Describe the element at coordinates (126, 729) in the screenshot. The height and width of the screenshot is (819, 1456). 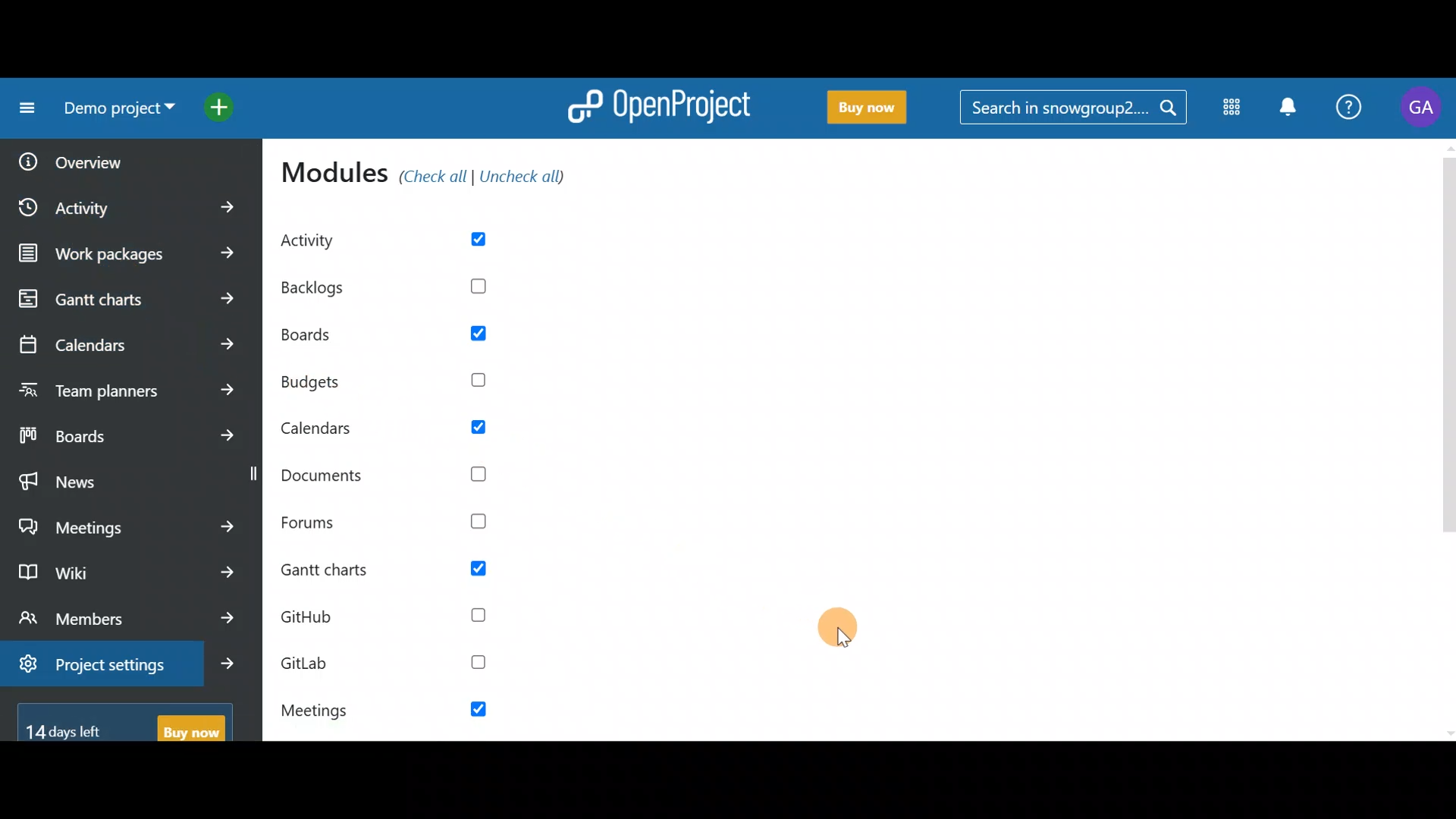
I see `Buy now` at that location.